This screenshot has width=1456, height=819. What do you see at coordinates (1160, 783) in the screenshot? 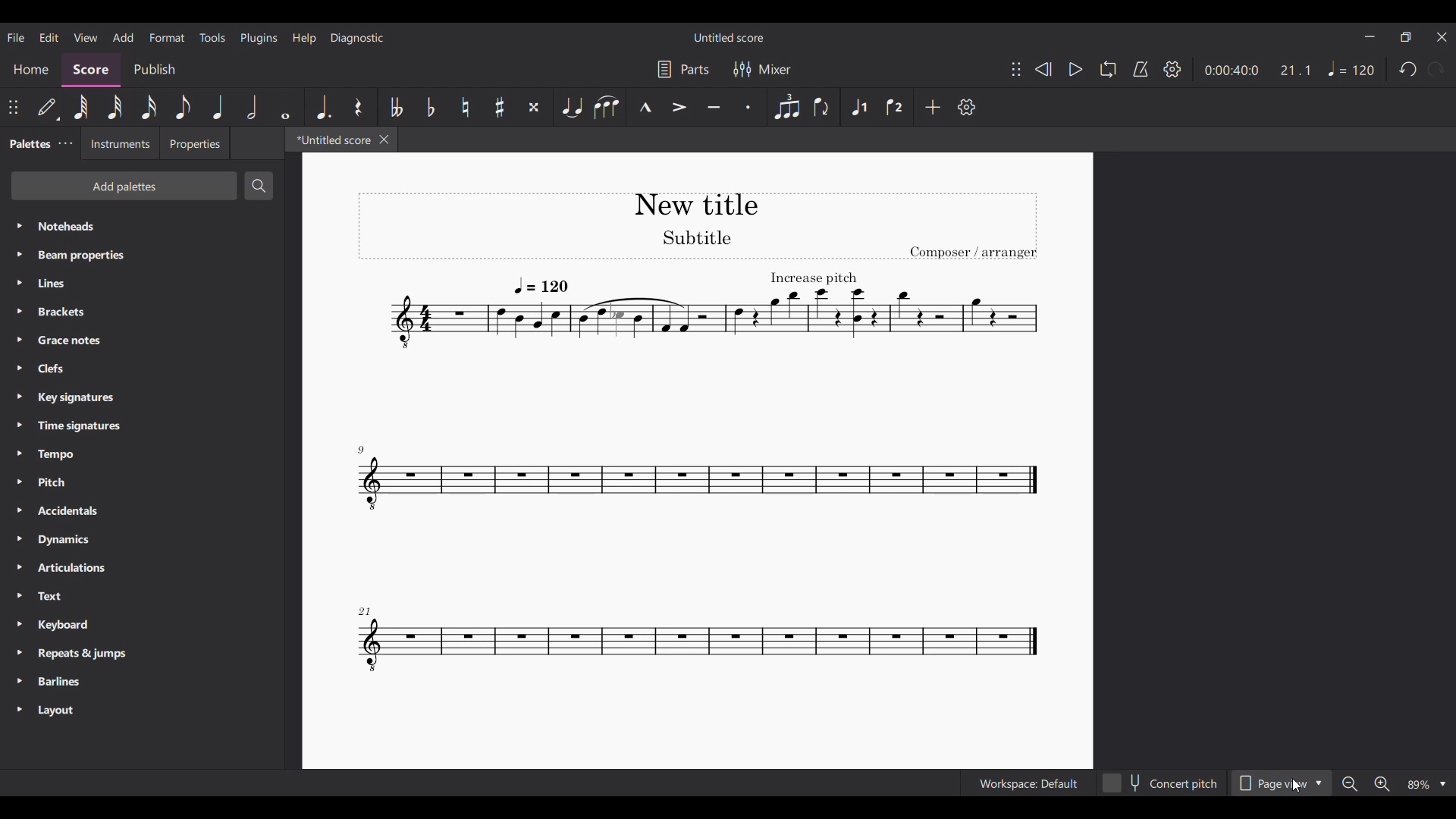
I see `Concert pitch toggle` at bounding box center [1160, 783].